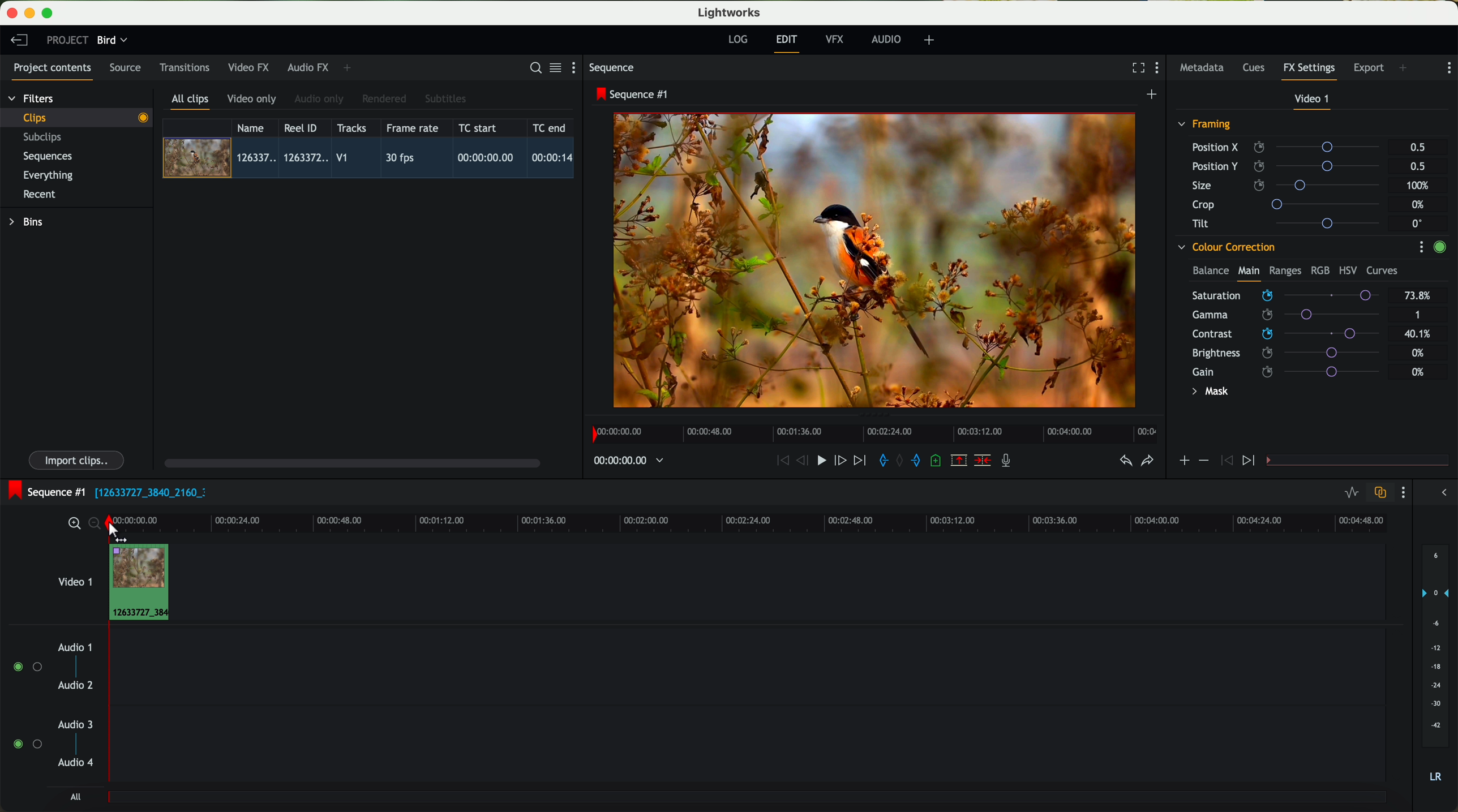 The width and height of the screenshot is (1458, 812). Describe the element at coordinates (144, 583) in the screenshot. I see `drag video to video track 1` at that location.